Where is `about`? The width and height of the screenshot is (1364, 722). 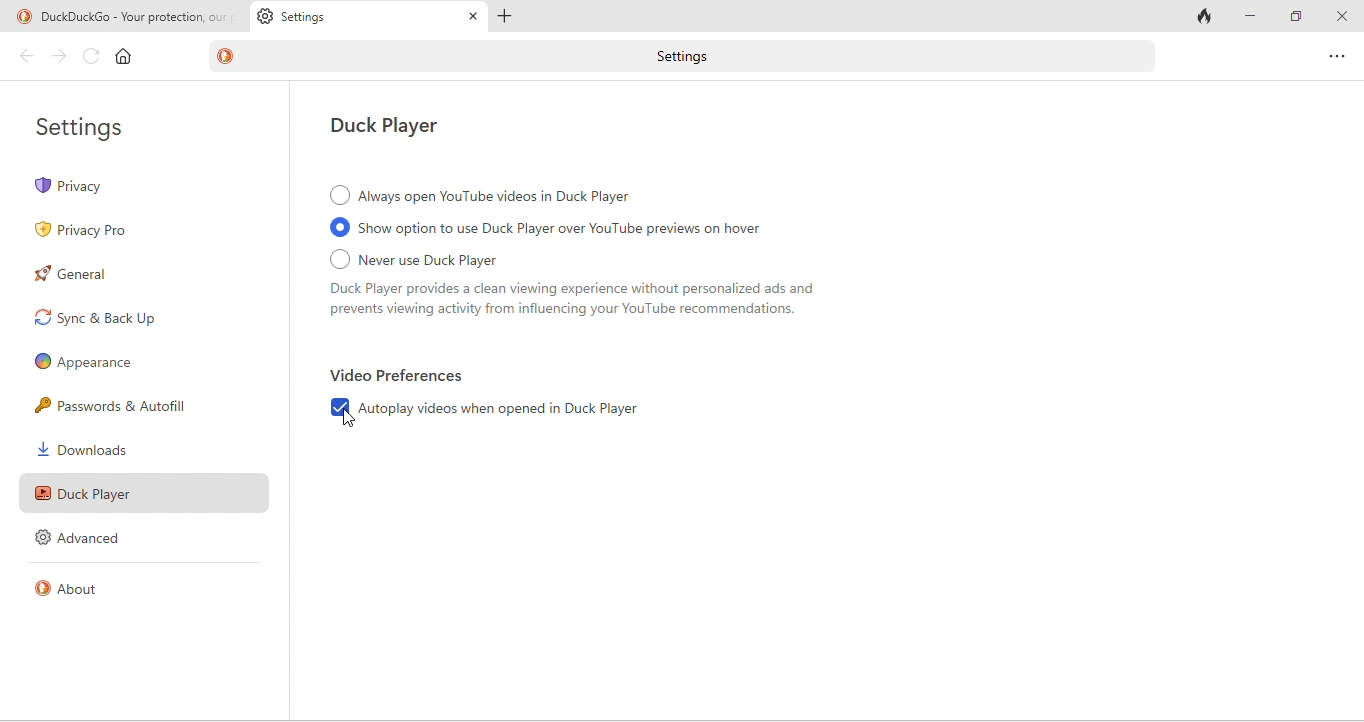 about is located at coordinates (74, 586).